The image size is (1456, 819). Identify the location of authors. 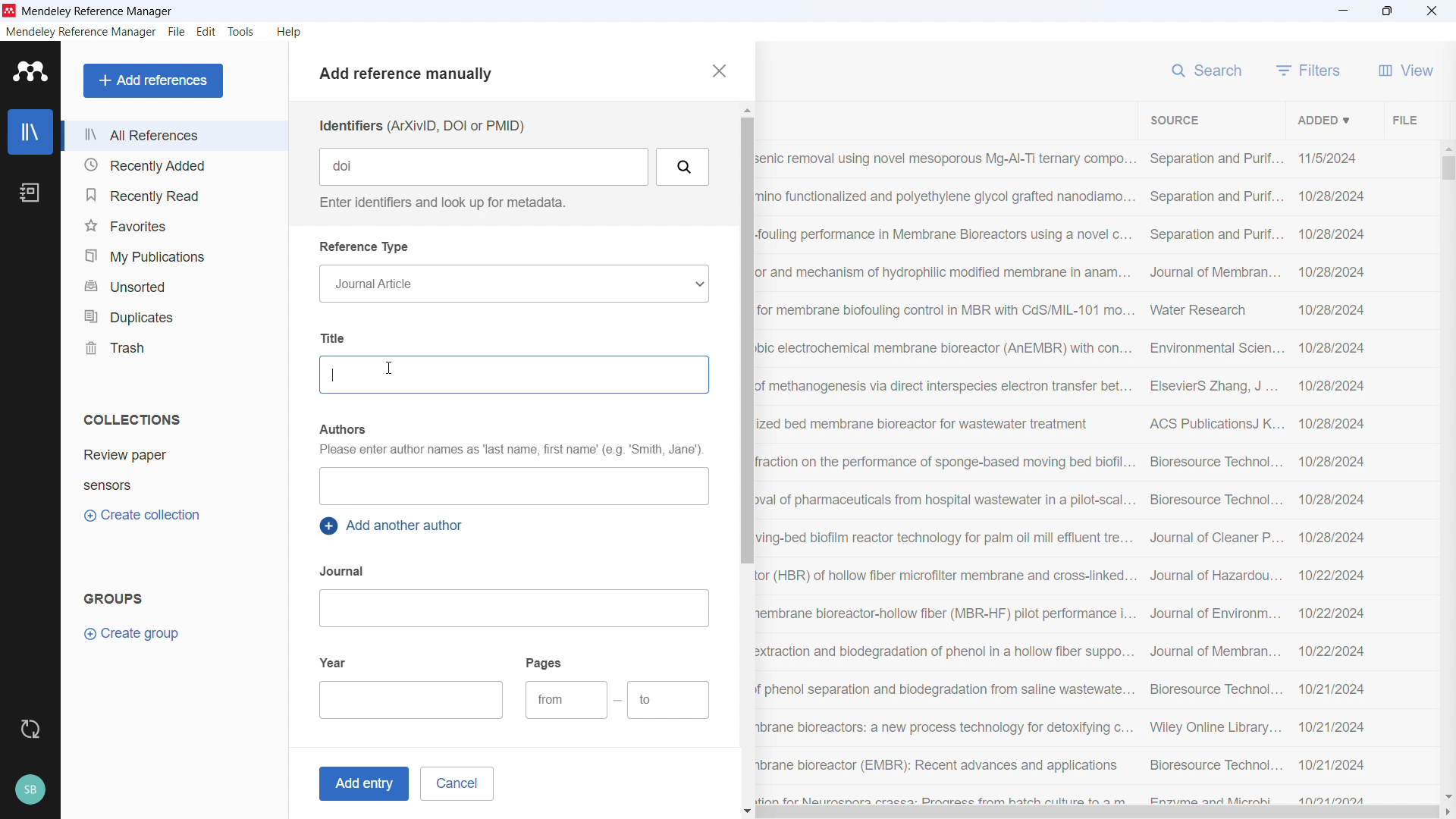
(341, 429).